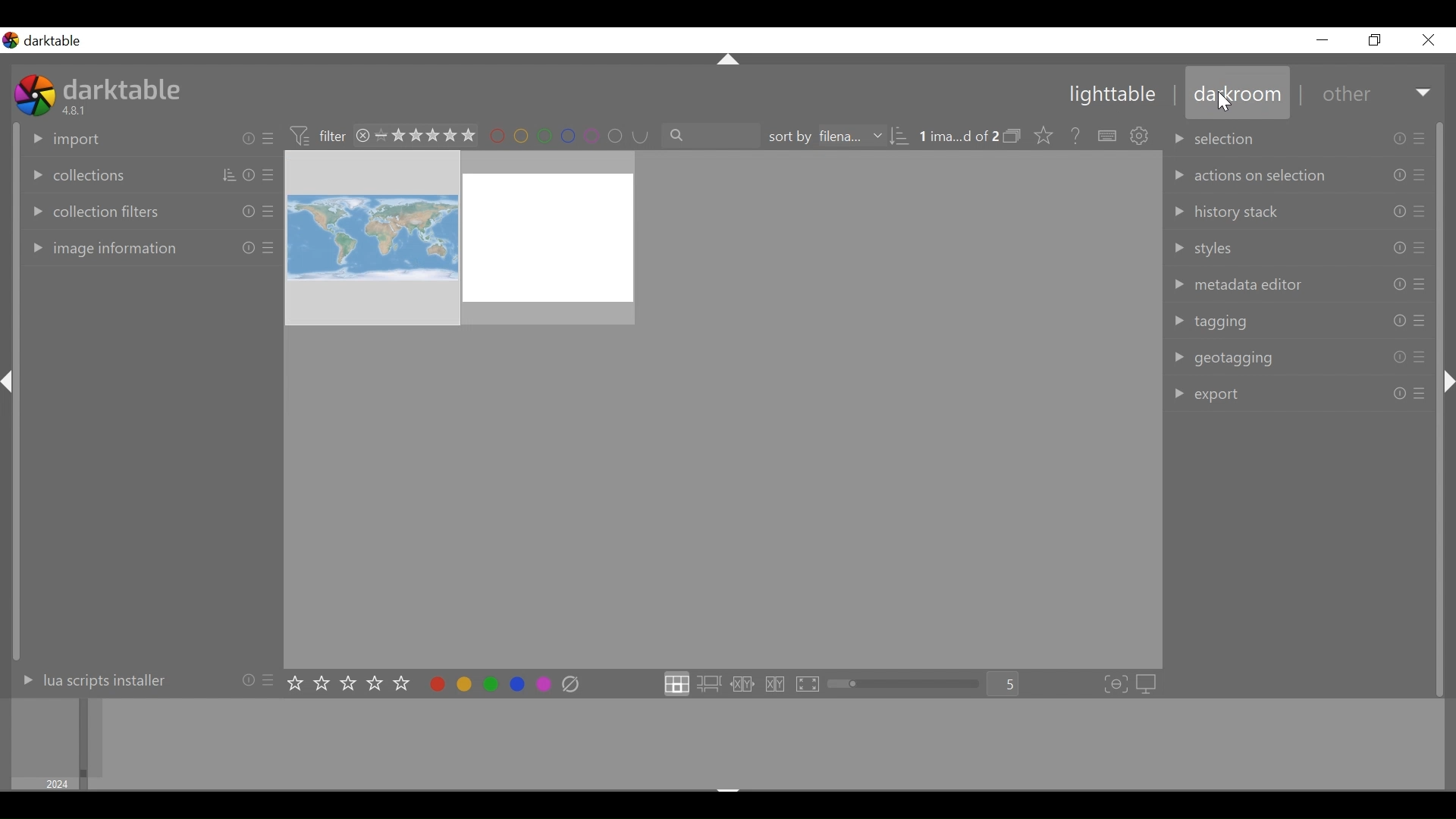  What do you see at coordinates (722, 409) in the screenshot?
I see `image thumbnail` at bounding box center [722, 409].